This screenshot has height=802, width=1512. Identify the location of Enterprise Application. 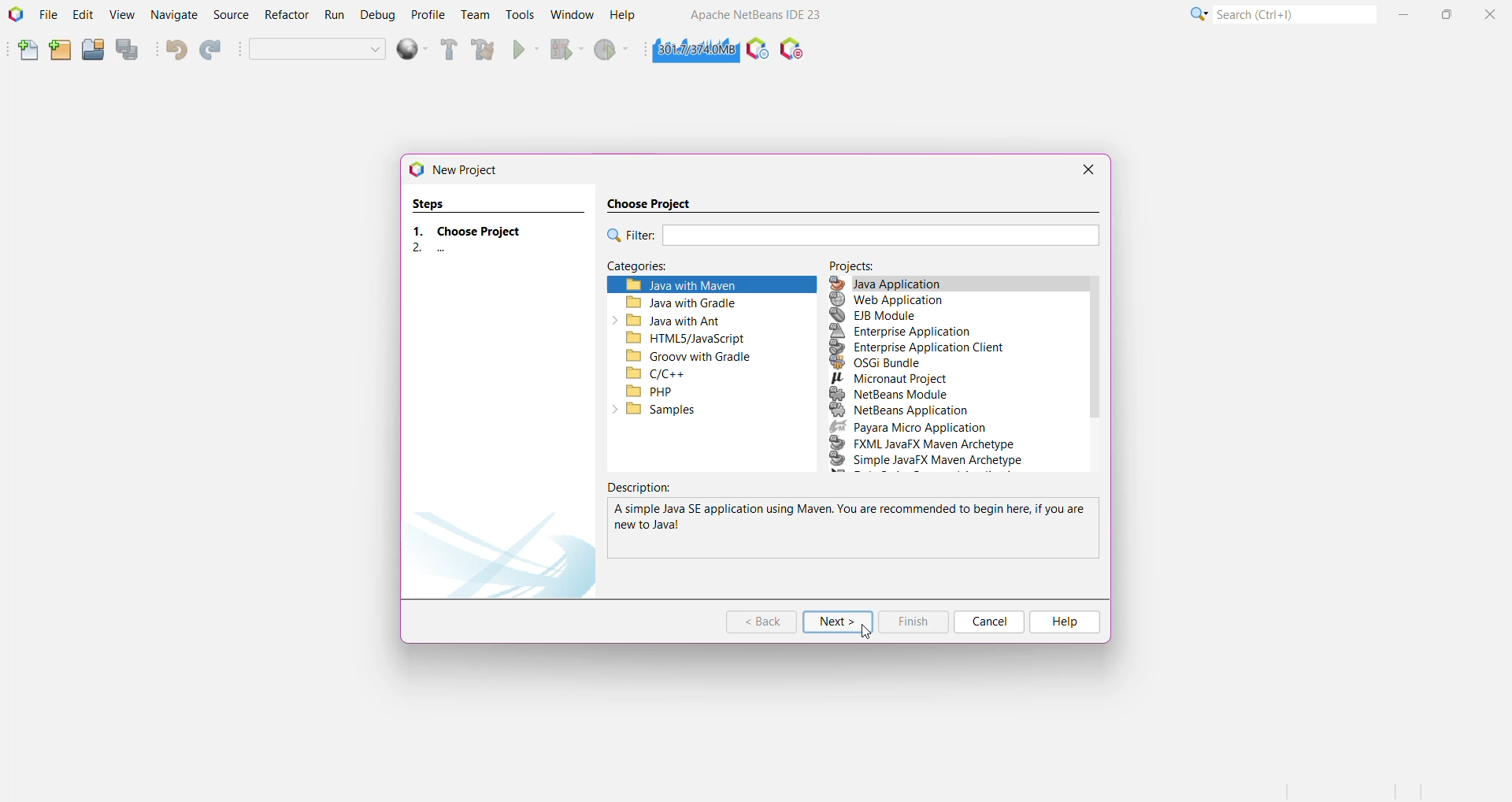
(950, 334).